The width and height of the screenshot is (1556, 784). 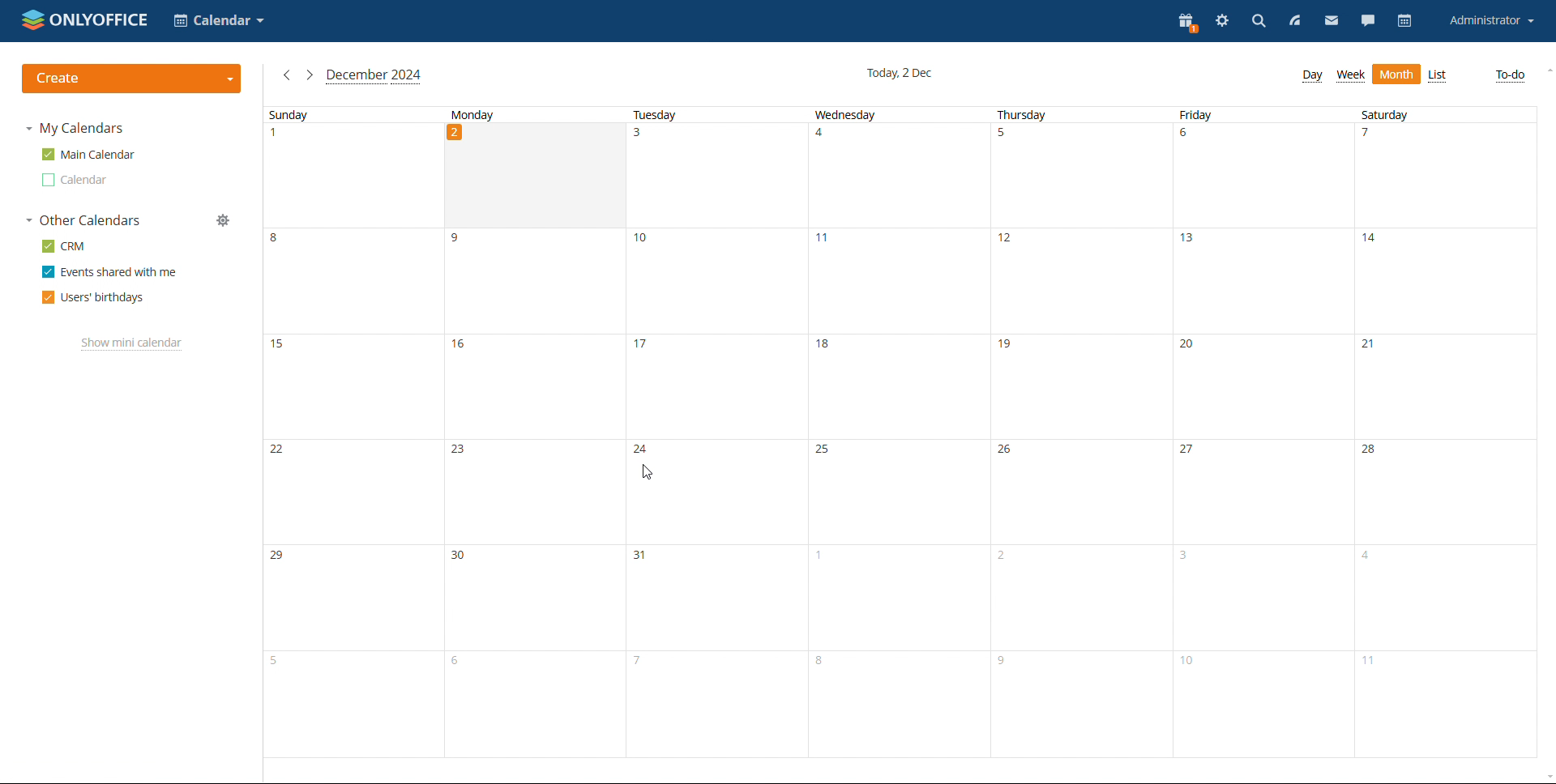 I want to click on 3, so click(x=643, y=139).